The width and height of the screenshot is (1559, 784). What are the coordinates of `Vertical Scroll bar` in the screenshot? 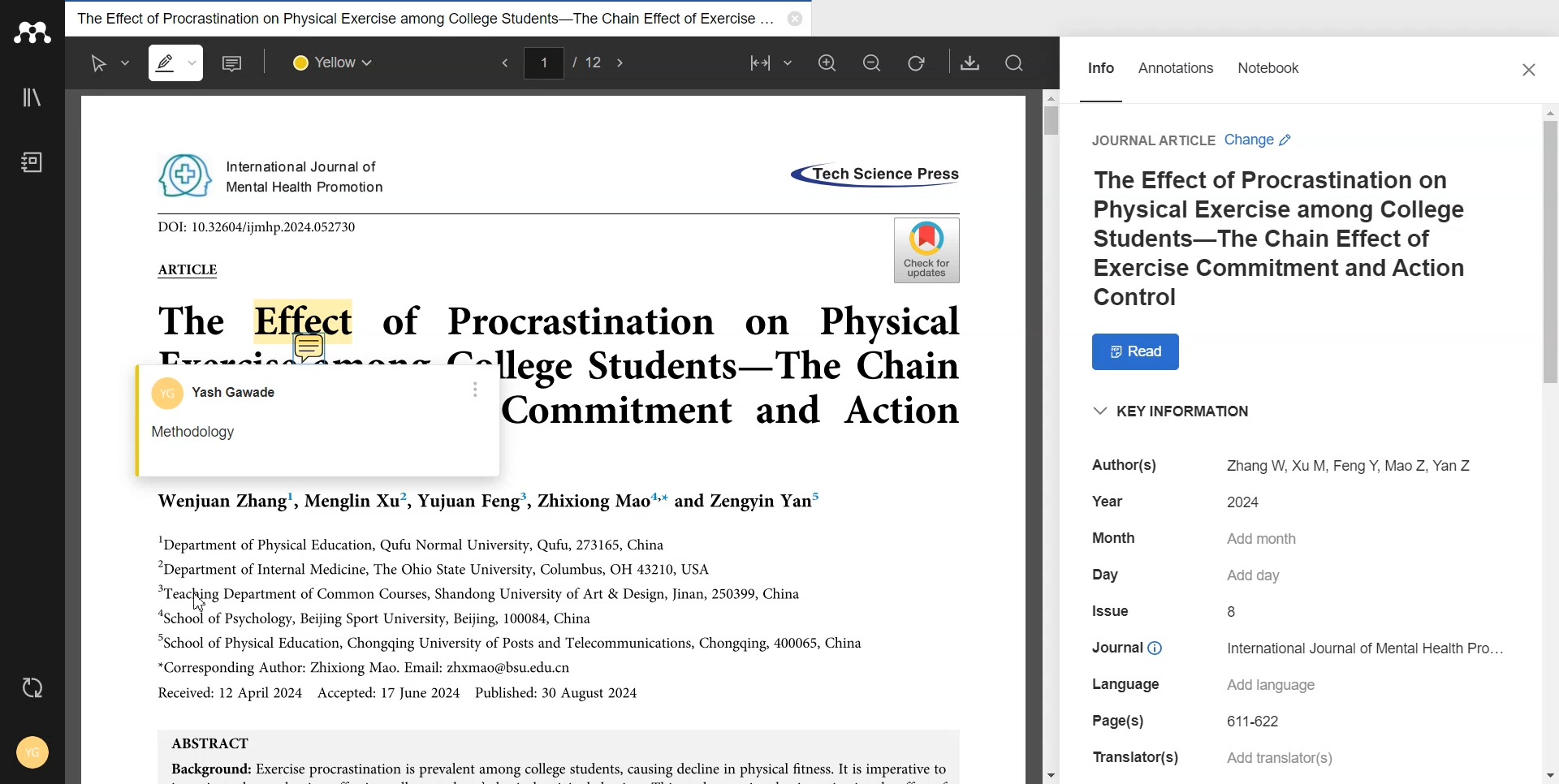 It's located at (1051, 435).